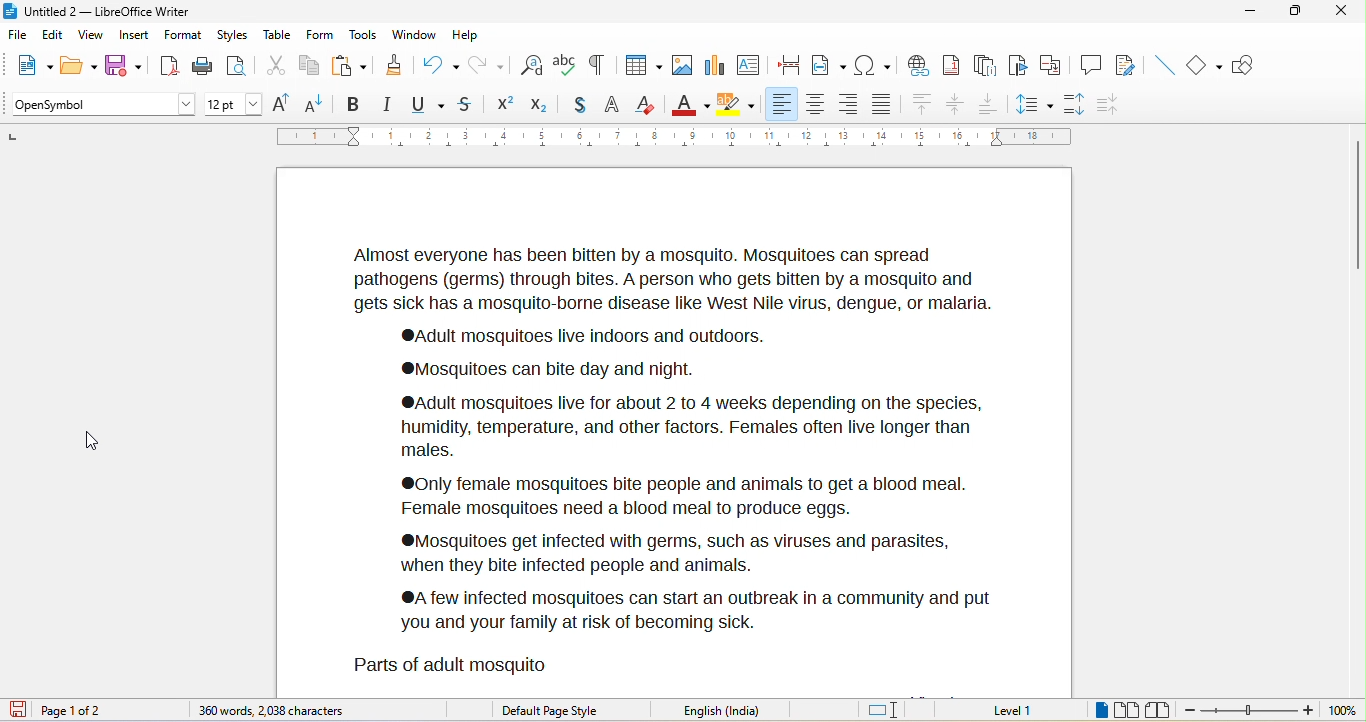 This screenshot has height=722, width=1366. Describe the element at coordinates (165, 65) in the screenshot. I see `export directly as pdf` at that location.